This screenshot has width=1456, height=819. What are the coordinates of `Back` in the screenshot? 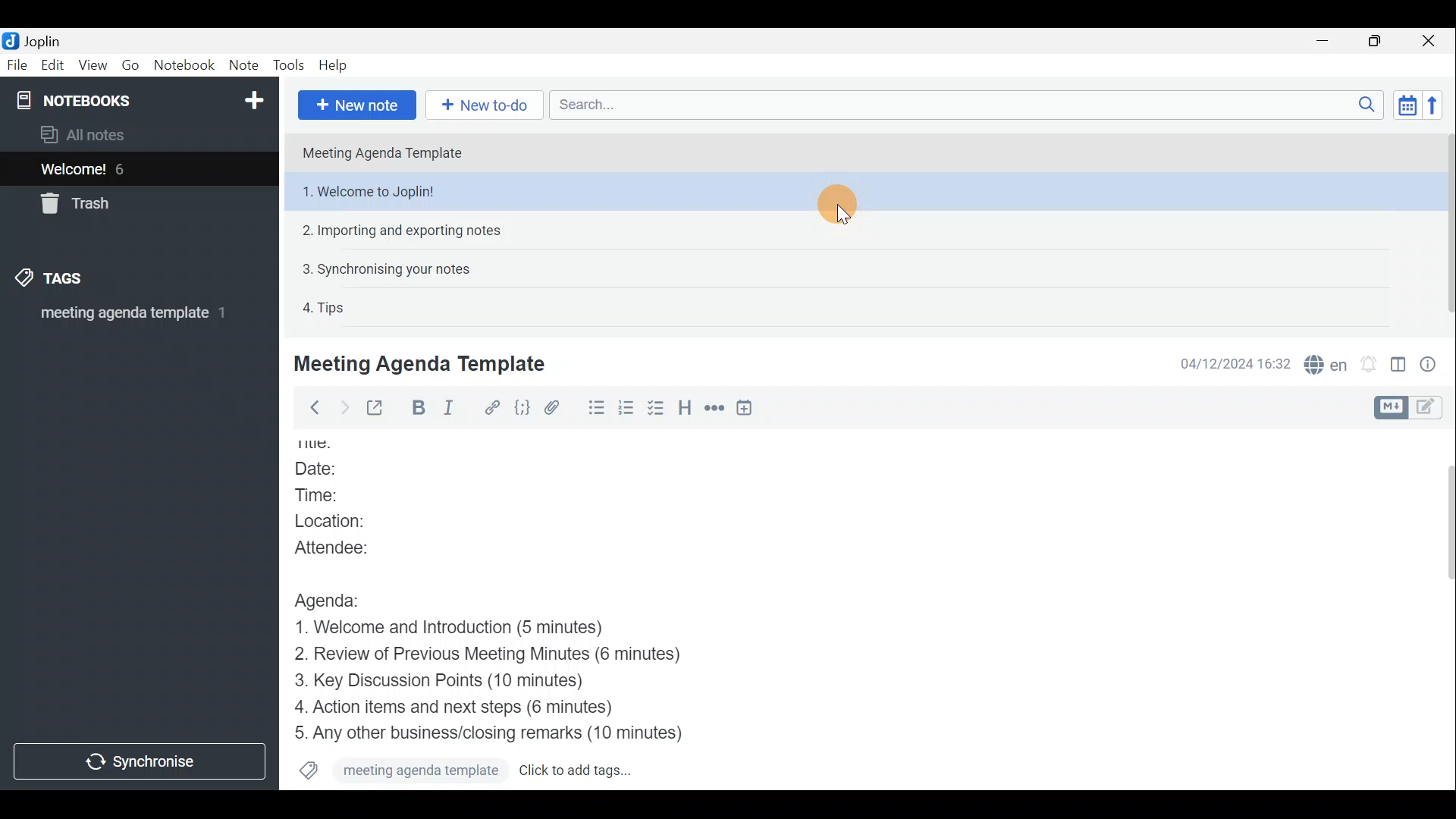 It's located at (310, 410).